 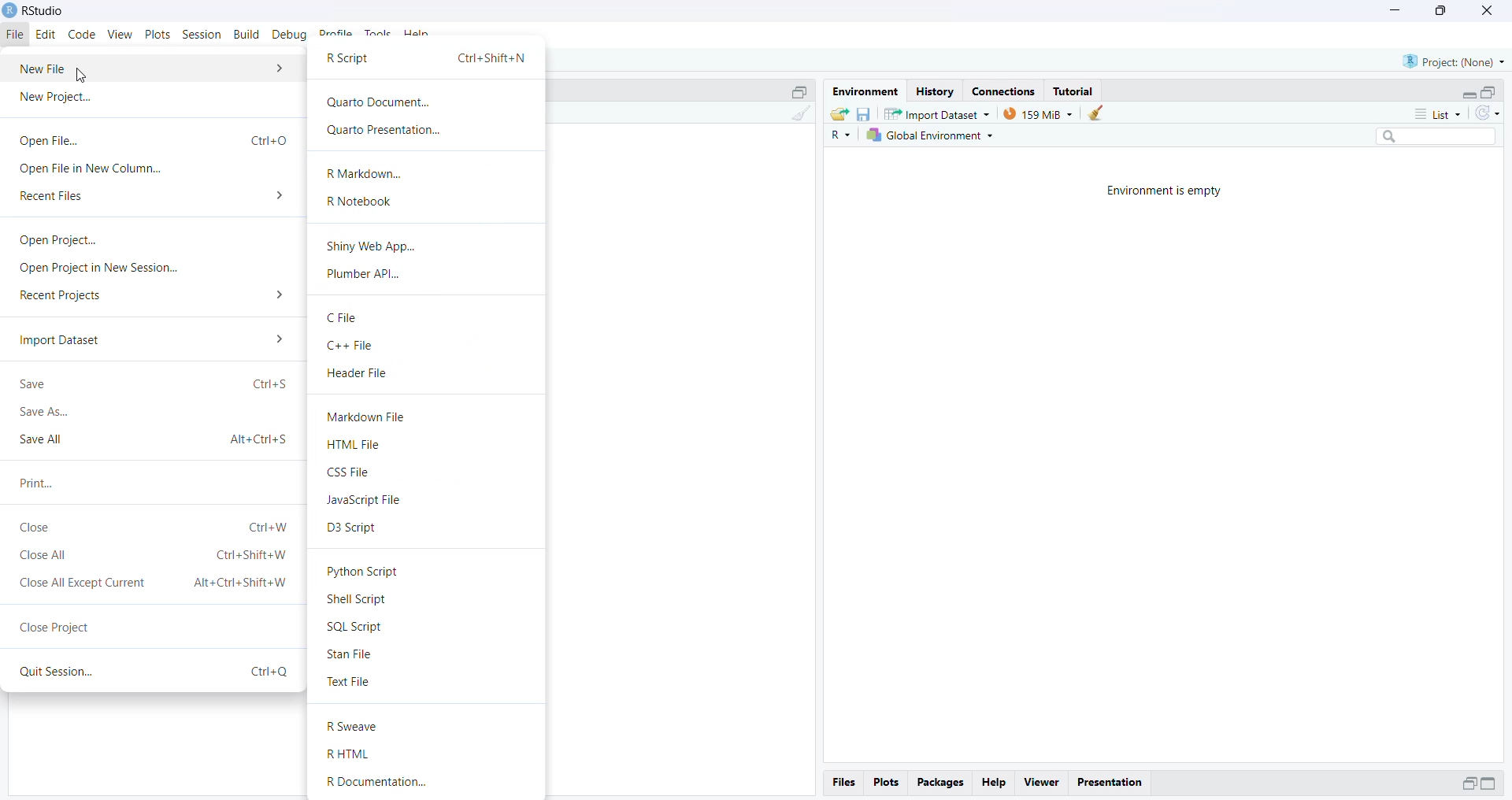 I want to click on Quarto Presentation..., so click(x=382, y=131).